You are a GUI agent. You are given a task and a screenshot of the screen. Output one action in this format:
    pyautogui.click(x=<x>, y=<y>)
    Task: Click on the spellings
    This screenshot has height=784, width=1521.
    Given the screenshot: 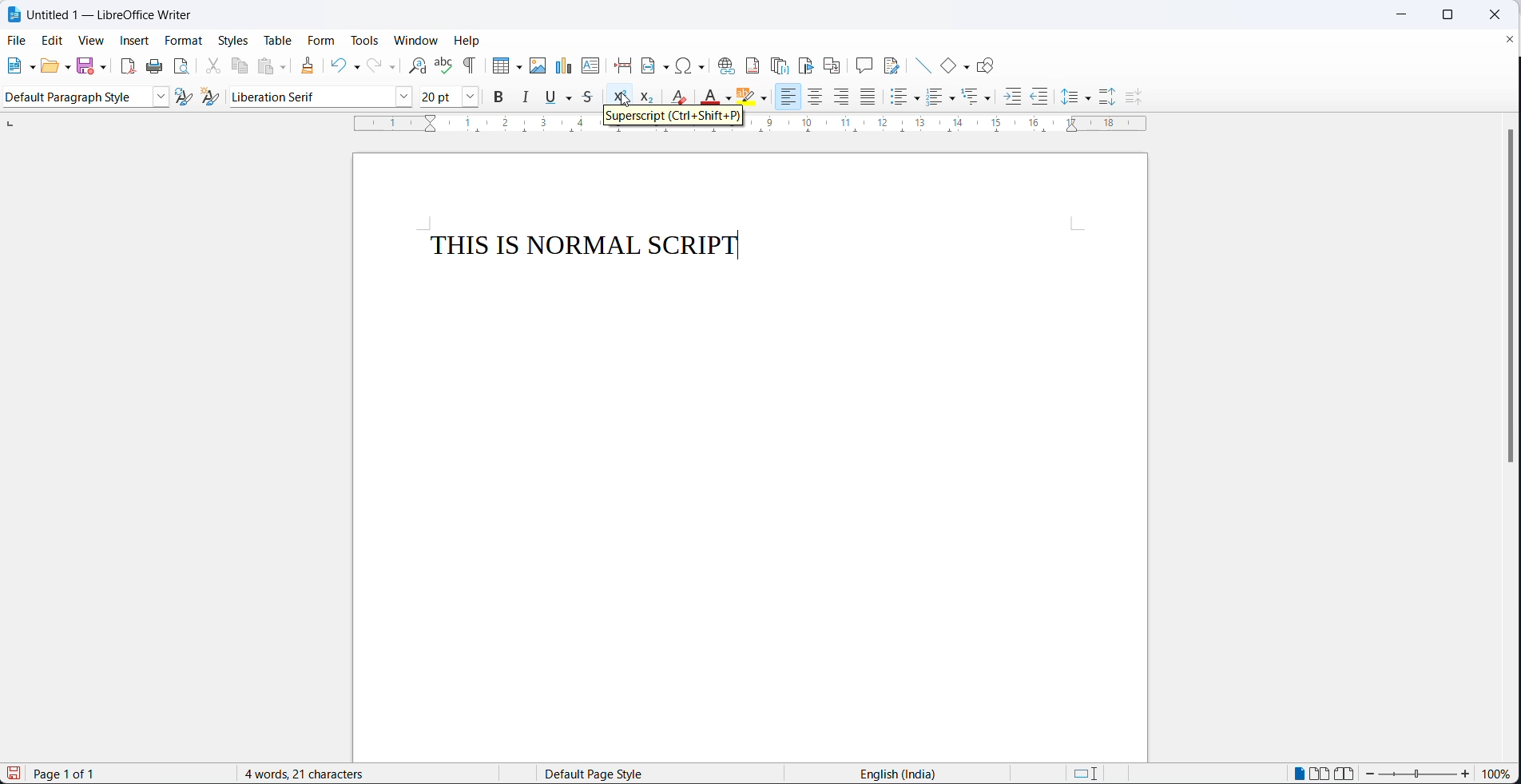 What is the action you would take?
    pyautogui.click(x=442, y=65)
    